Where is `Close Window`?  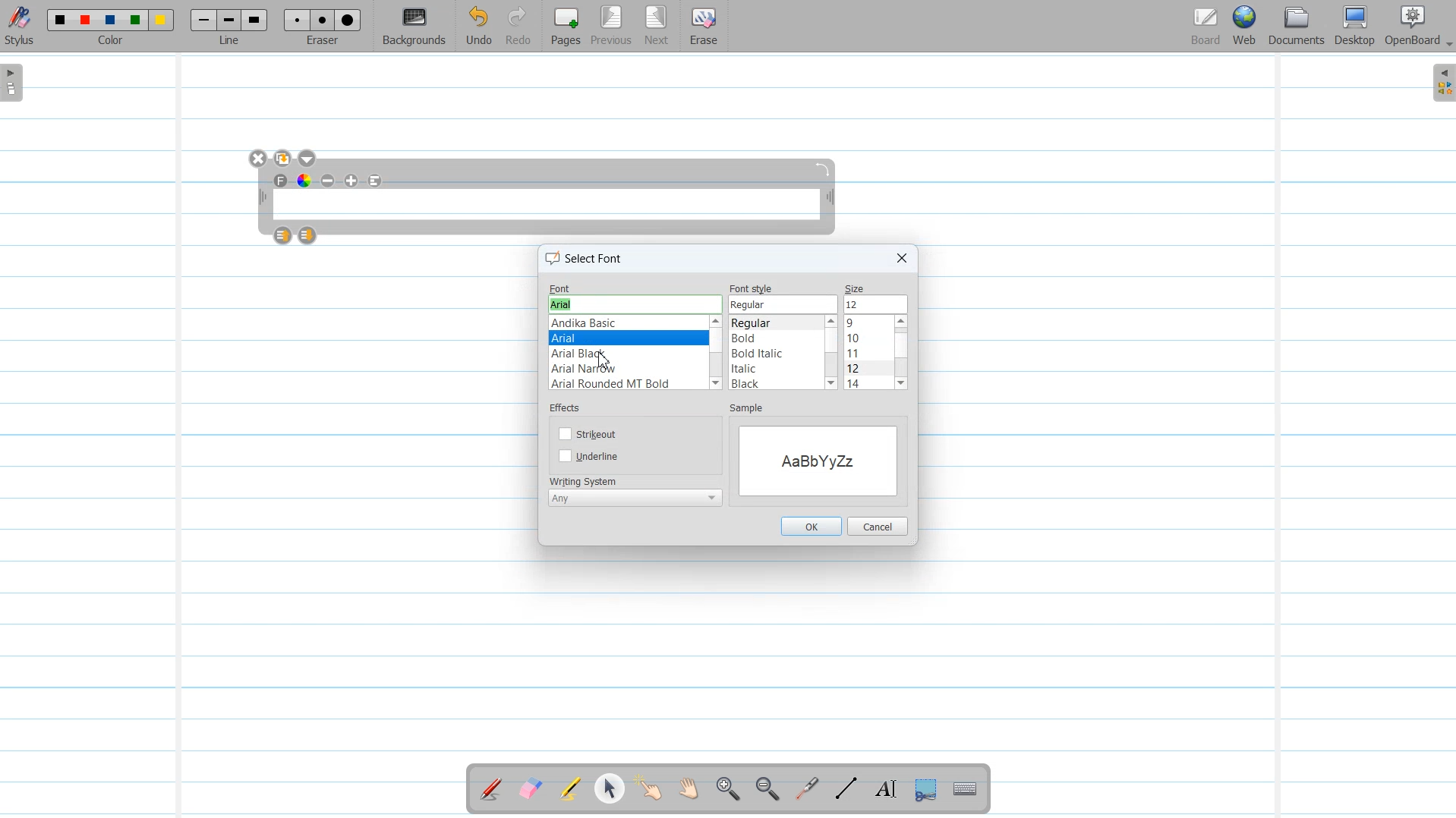
Close Window is located at coordinates (259, 159).